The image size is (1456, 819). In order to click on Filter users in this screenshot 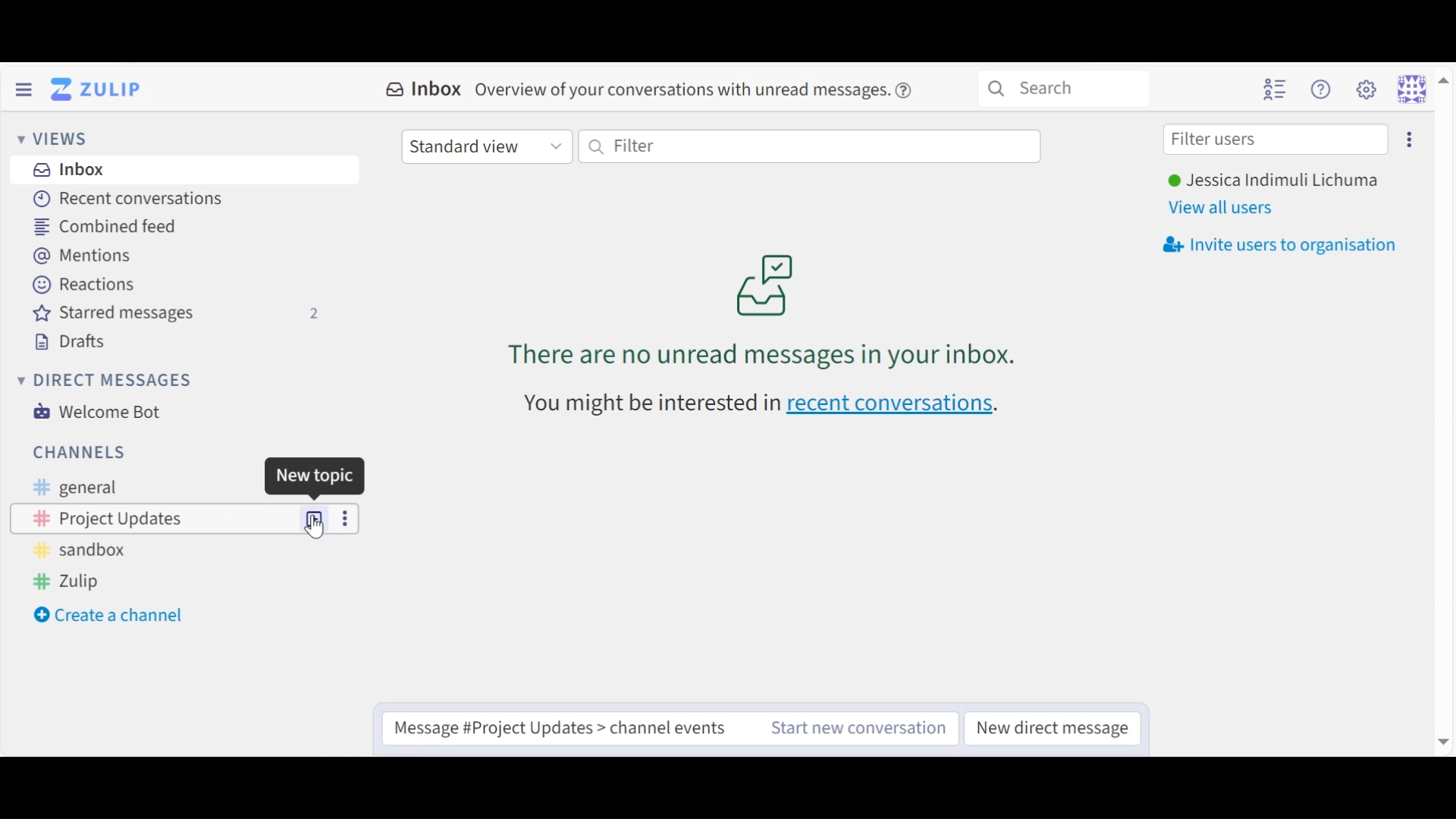, I will do `click(1276, 140)`.